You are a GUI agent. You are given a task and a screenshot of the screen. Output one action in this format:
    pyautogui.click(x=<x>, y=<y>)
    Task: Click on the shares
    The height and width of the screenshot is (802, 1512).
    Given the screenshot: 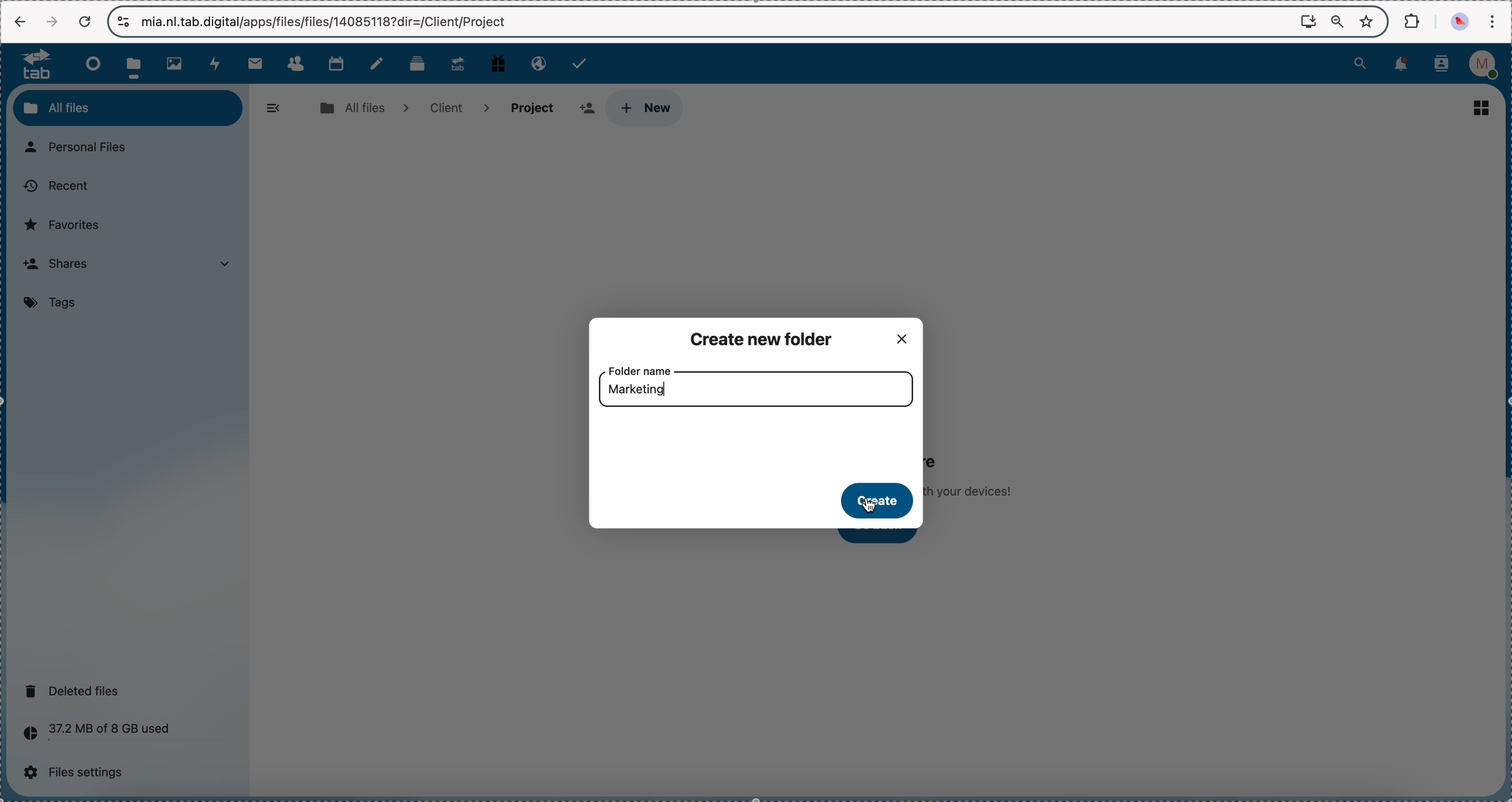 What is the action you would take?
    pyautogui.click(x=132, y=265)
    